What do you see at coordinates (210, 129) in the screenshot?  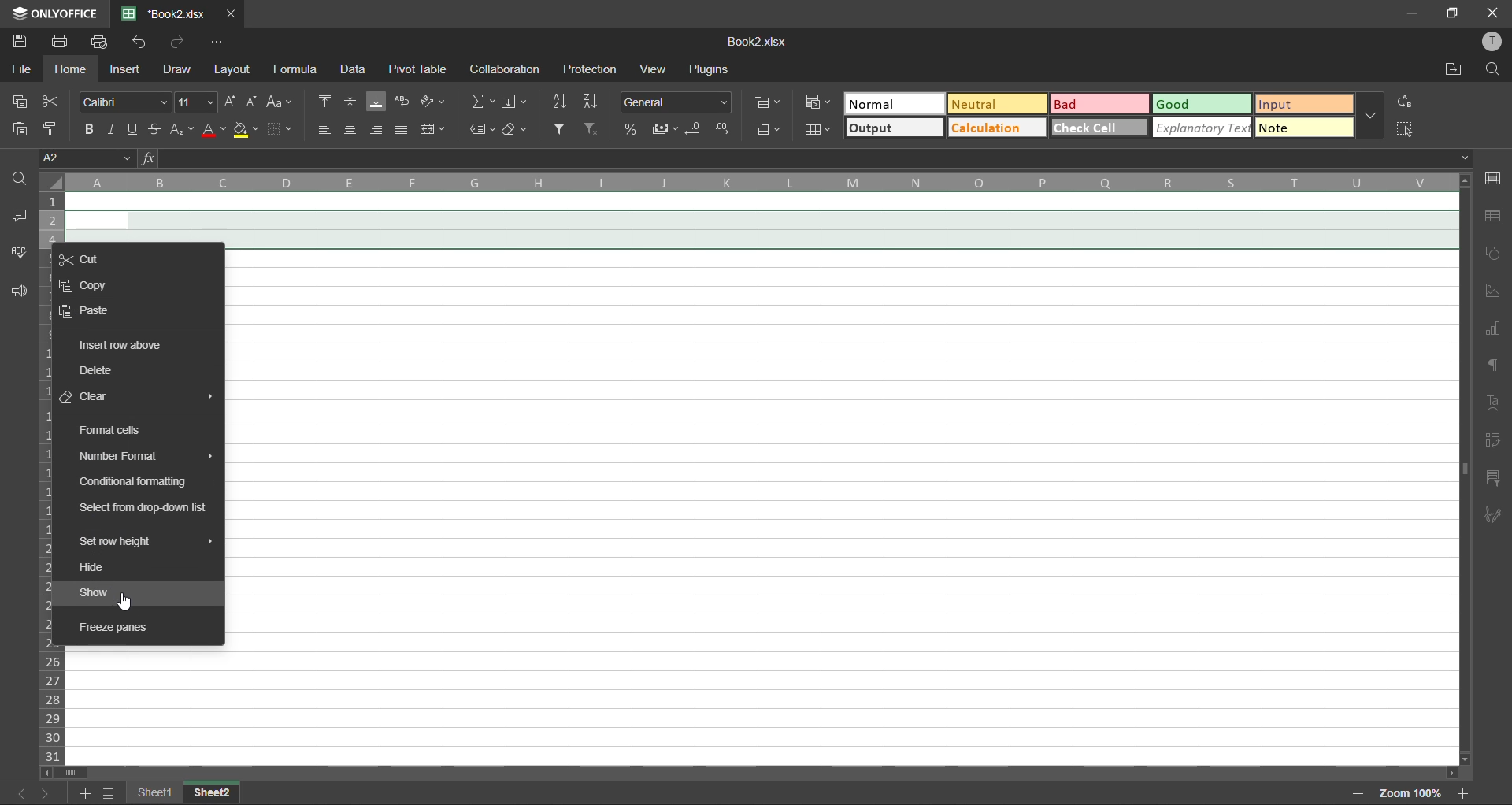 I see `font color` at bounding box center [210, 129].